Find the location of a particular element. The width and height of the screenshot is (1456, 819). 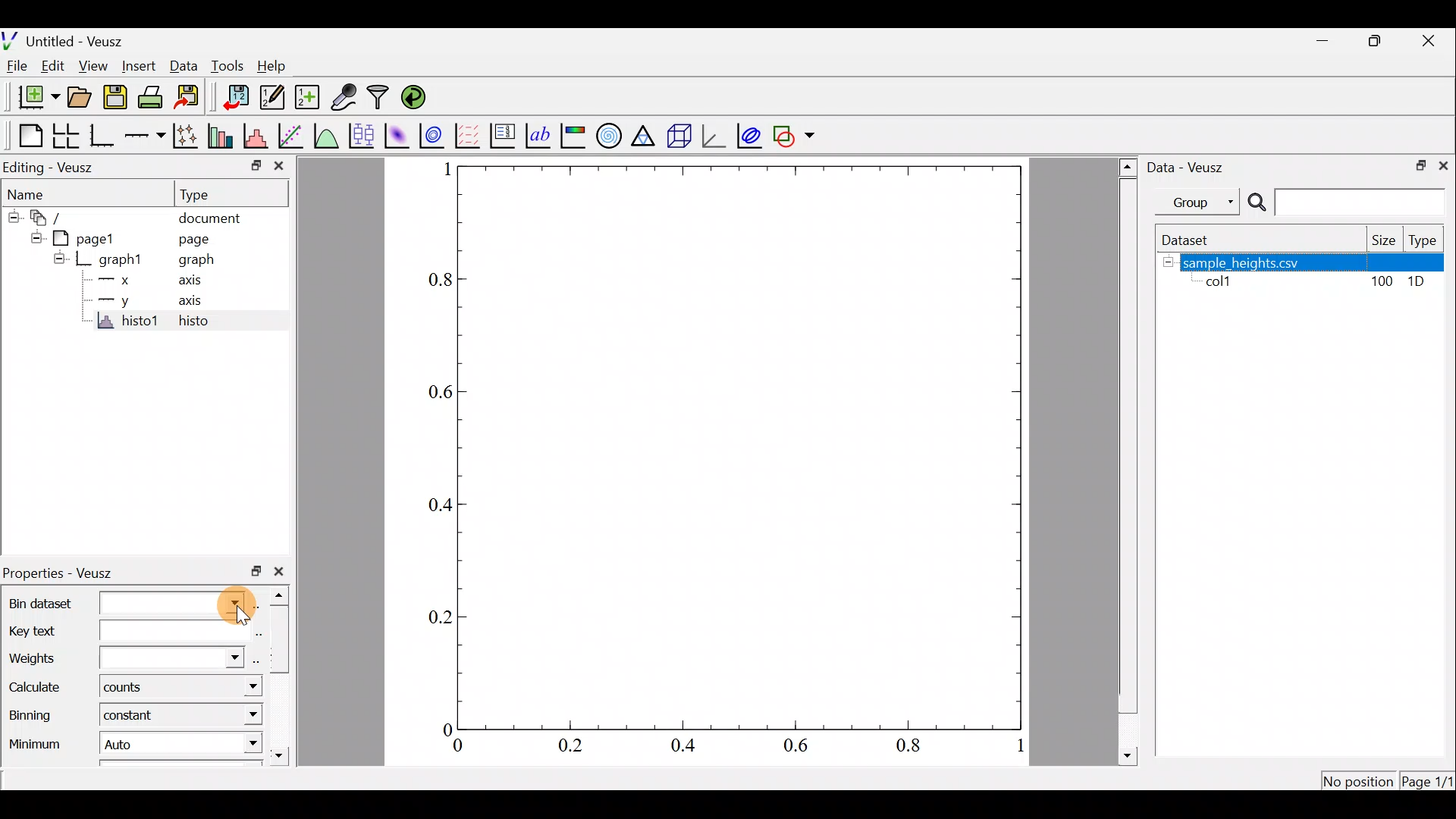

x is located at coordinates (124, 281).